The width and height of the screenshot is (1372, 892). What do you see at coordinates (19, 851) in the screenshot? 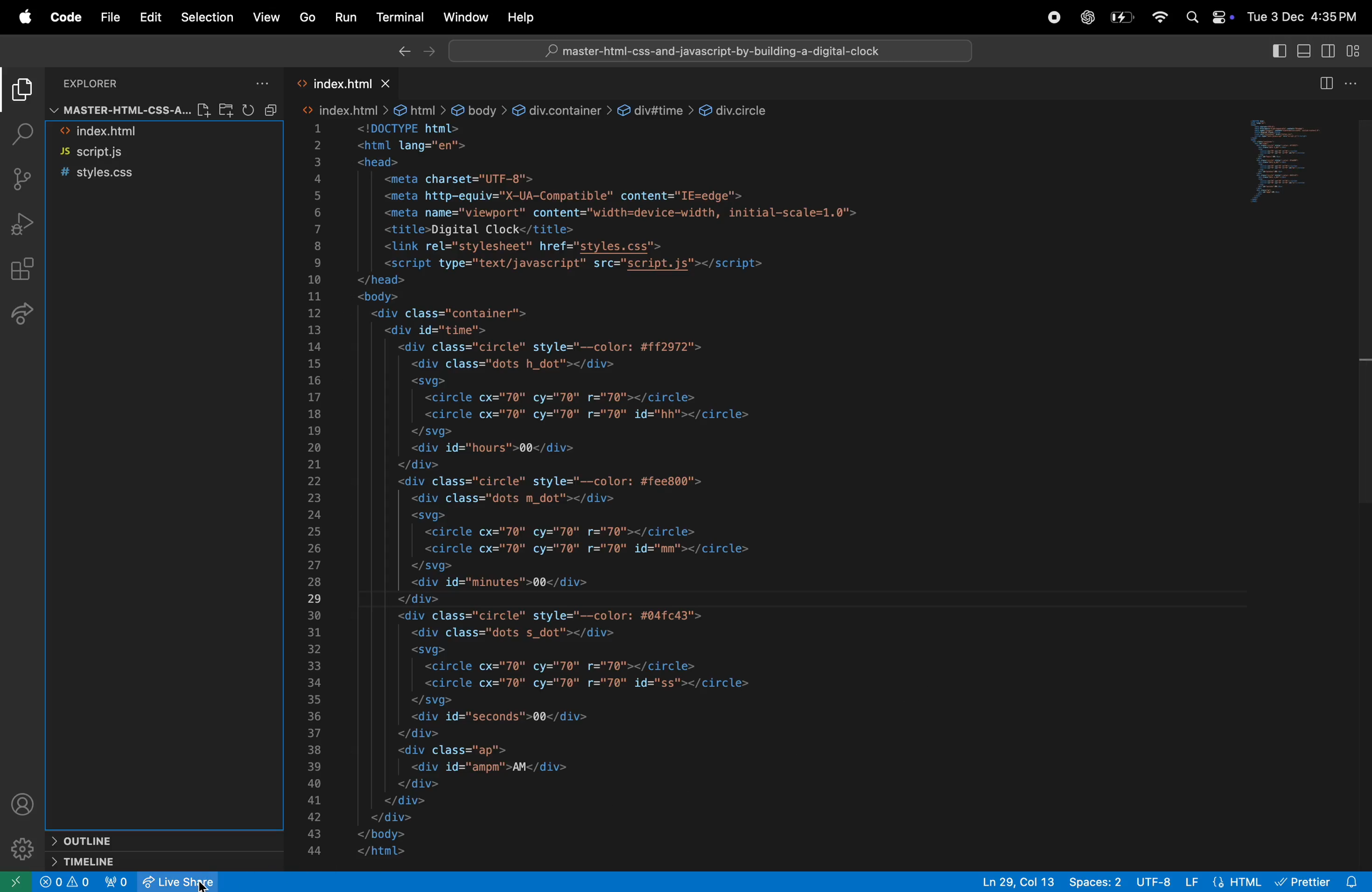
I see `setting` at bounding box center [19, 851].